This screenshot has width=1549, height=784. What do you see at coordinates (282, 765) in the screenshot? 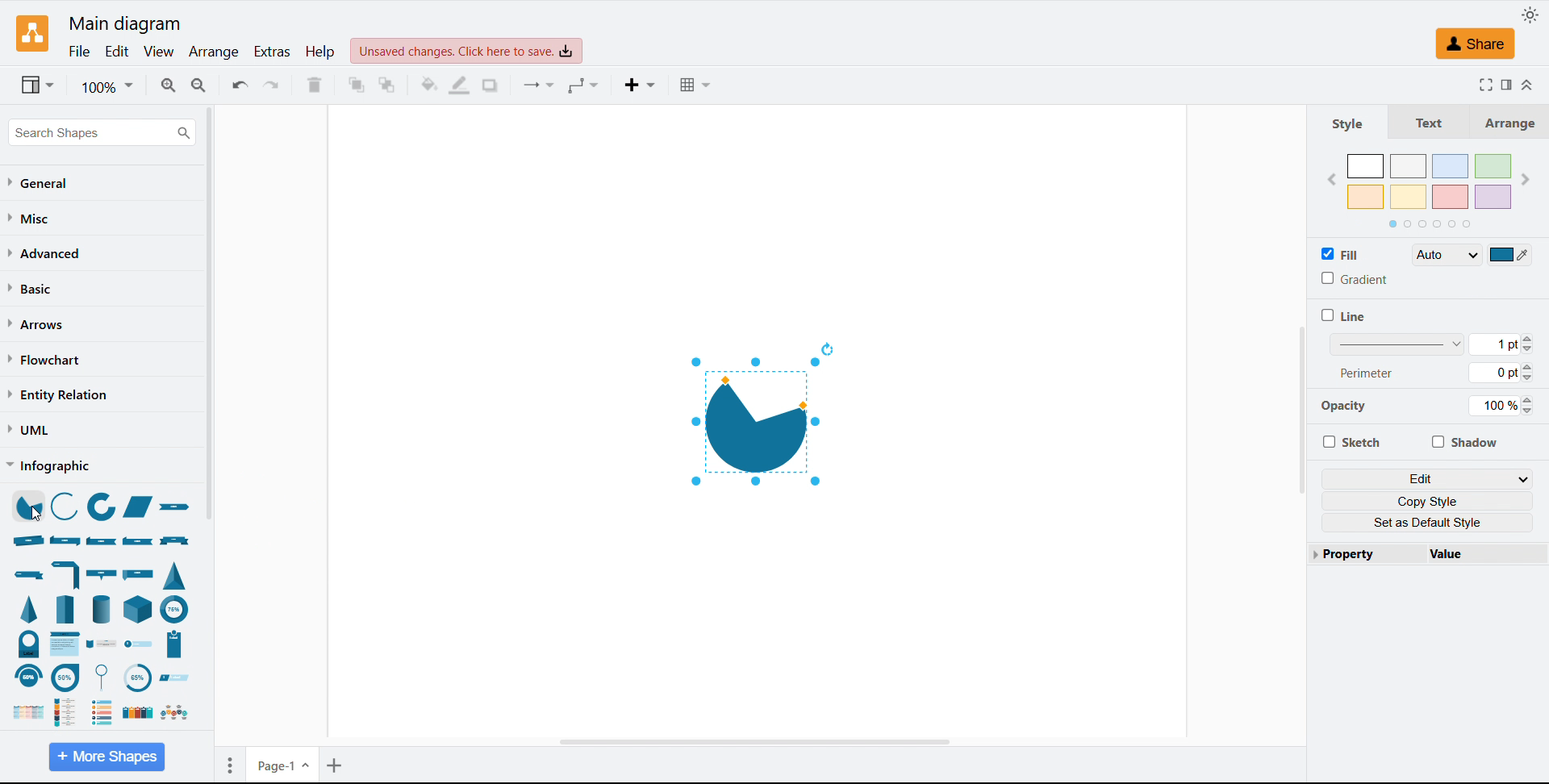
I see `Page 1 ` at bounding box center [282, 765].